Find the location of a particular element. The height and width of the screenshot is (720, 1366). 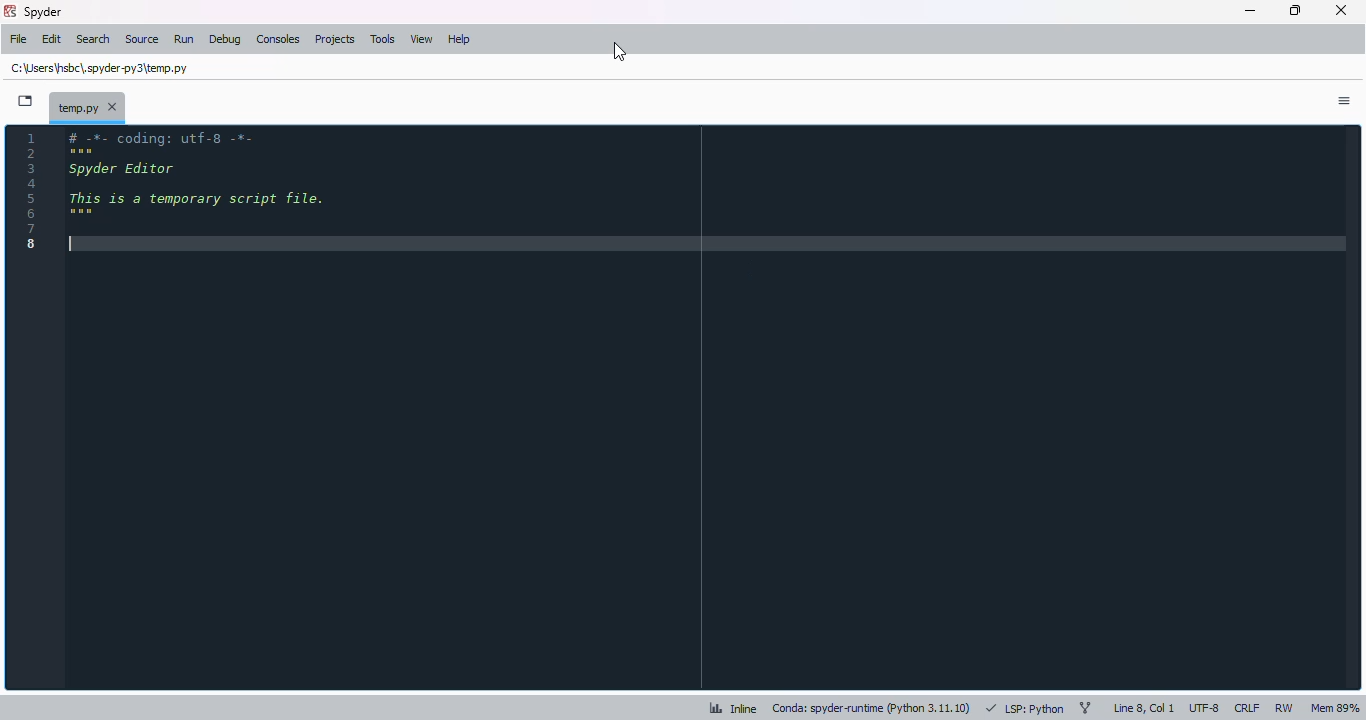

run is located at coordinates (184, 39).